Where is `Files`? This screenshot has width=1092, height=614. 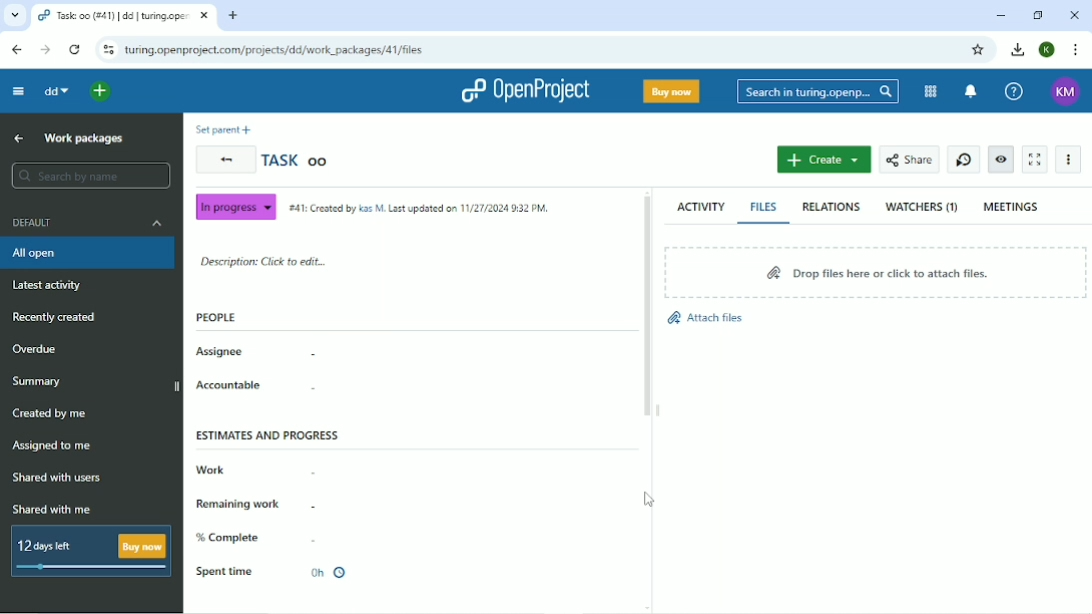
Files is located at coordinates (766, 207).